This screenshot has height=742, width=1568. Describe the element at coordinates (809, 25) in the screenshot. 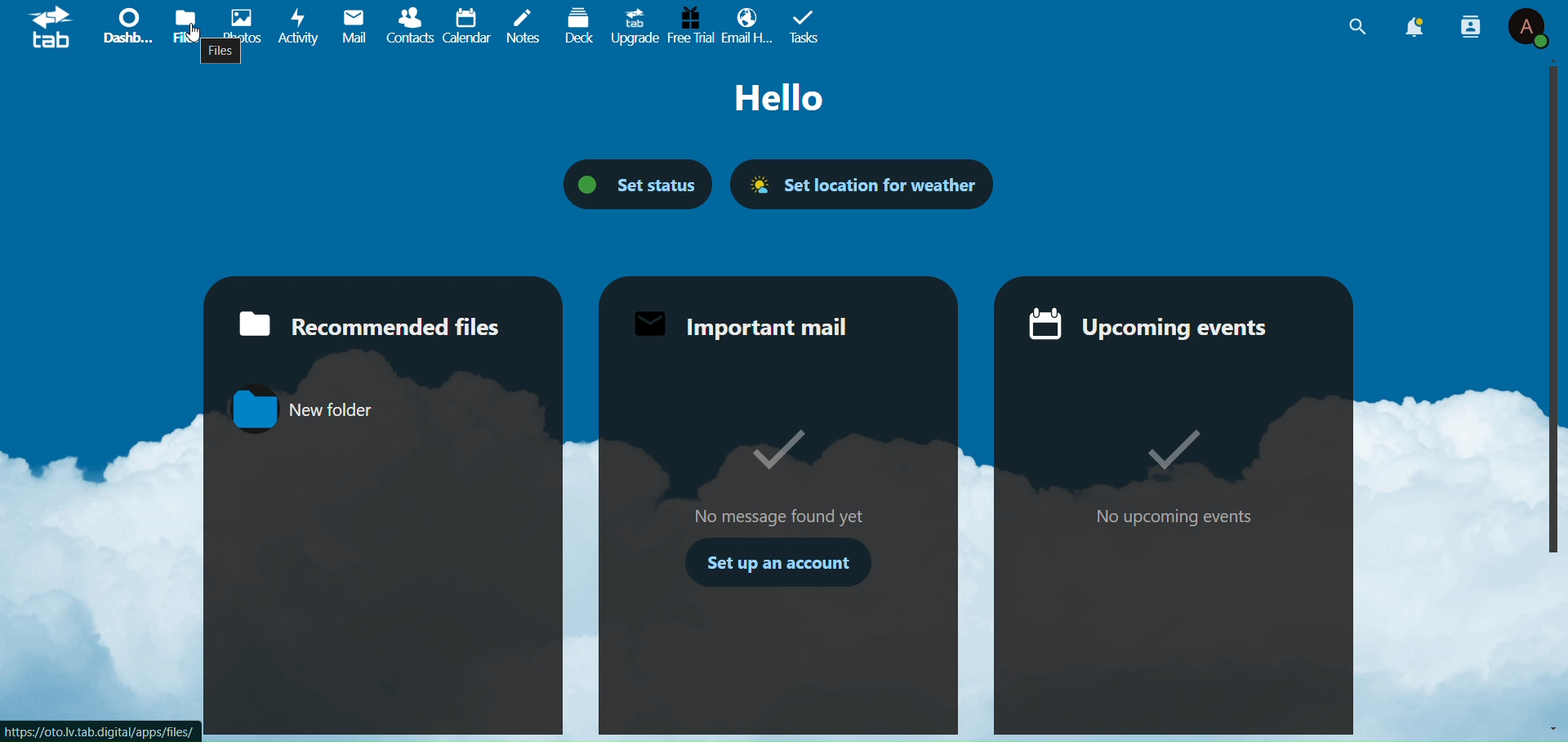

I see `Tab` at that location.